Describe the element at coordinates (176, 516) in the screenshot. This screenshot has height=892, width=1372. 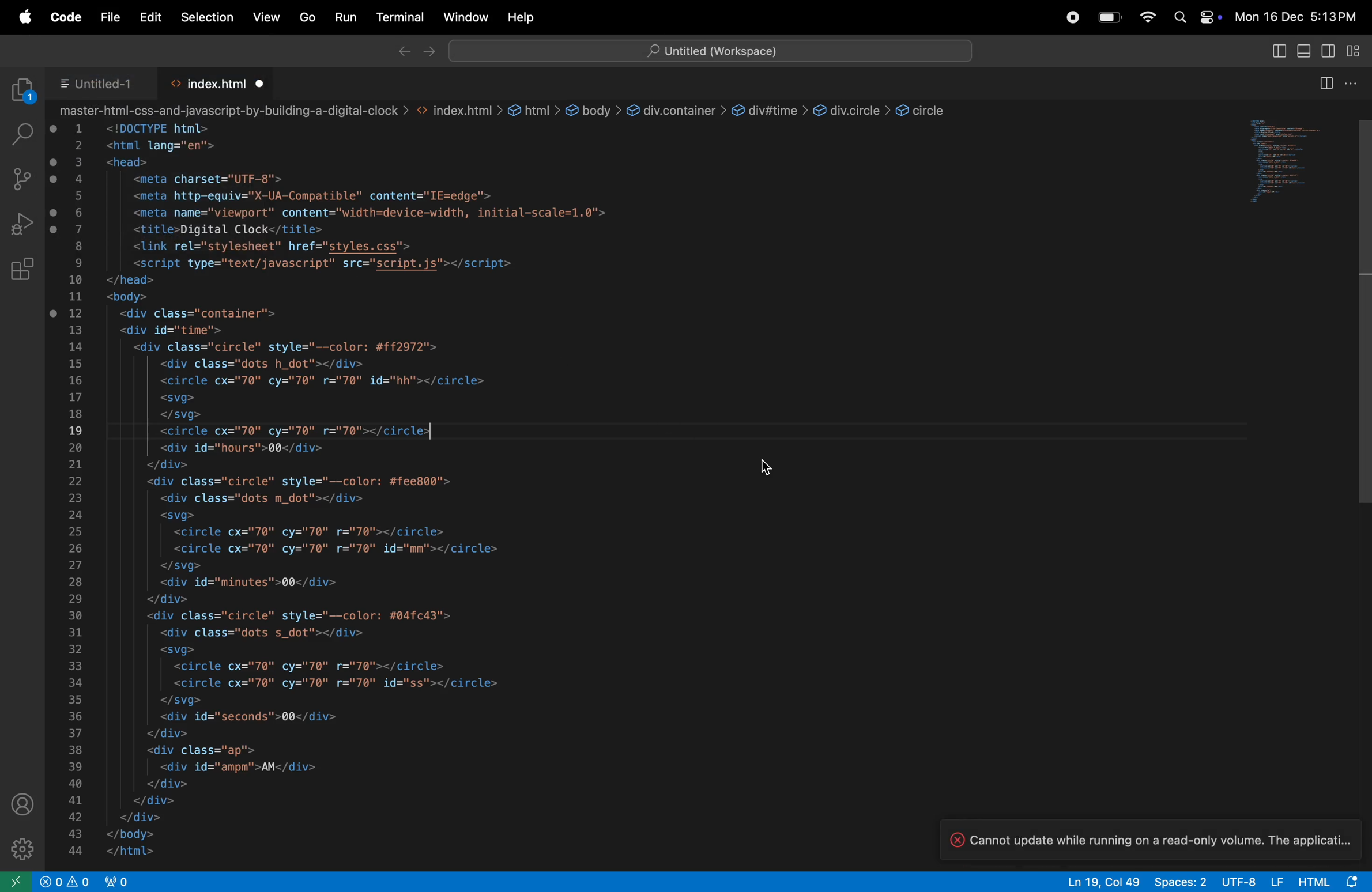
I see `<svg>` at that location.